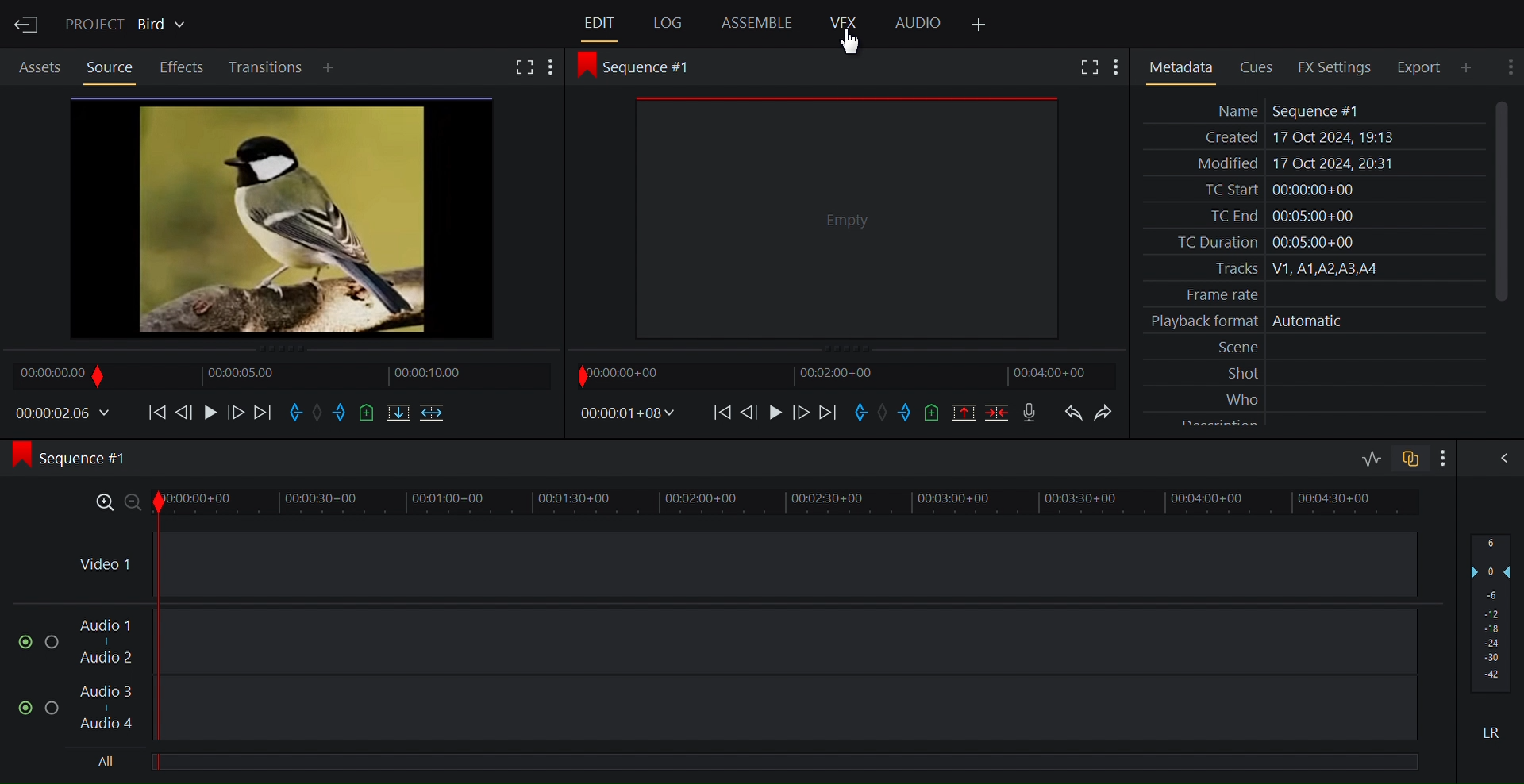 Image resolution: width=1524 pixels, height=784 pixels. I want to click on Sequence 1, so click(652, 68).